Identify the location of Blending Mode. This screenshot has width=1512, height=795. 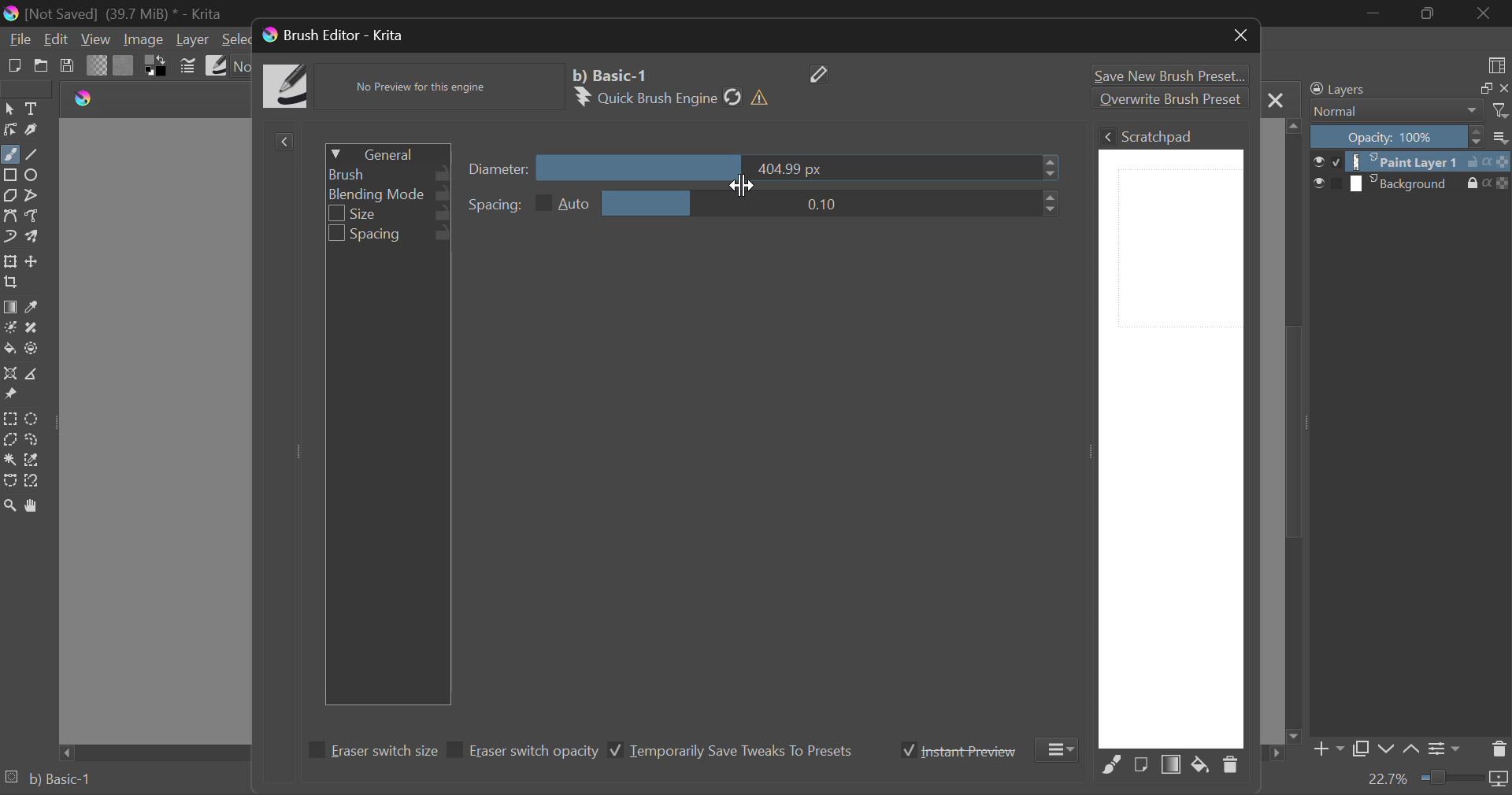
(388, 194).